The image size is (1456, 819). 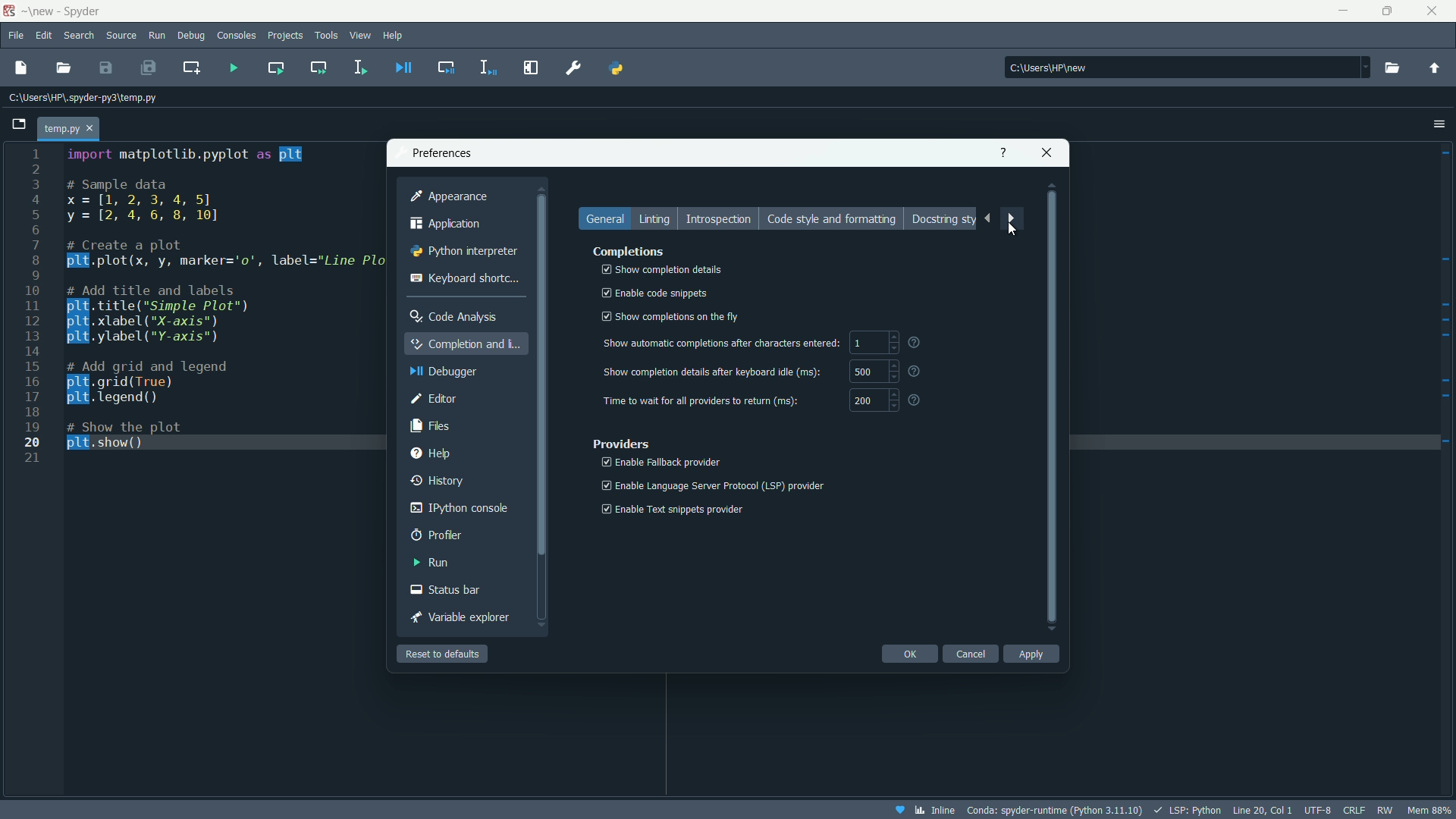 What do you see at coordinates (447, 590) in the screenshot?
I see `status bar` at bounding box center [447, 590].